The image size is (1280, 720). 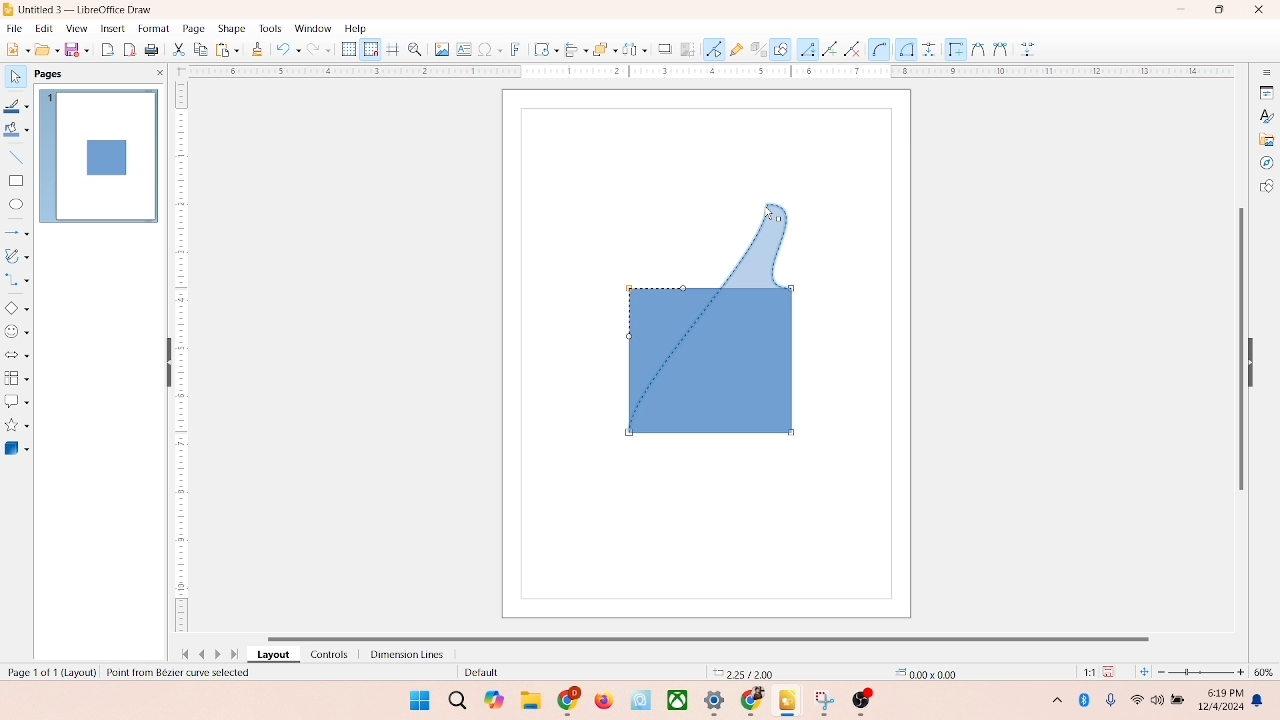 What do you see at coordinates (153, 27) in the screenshot?
I see `format` at bounding box center [153, 27].